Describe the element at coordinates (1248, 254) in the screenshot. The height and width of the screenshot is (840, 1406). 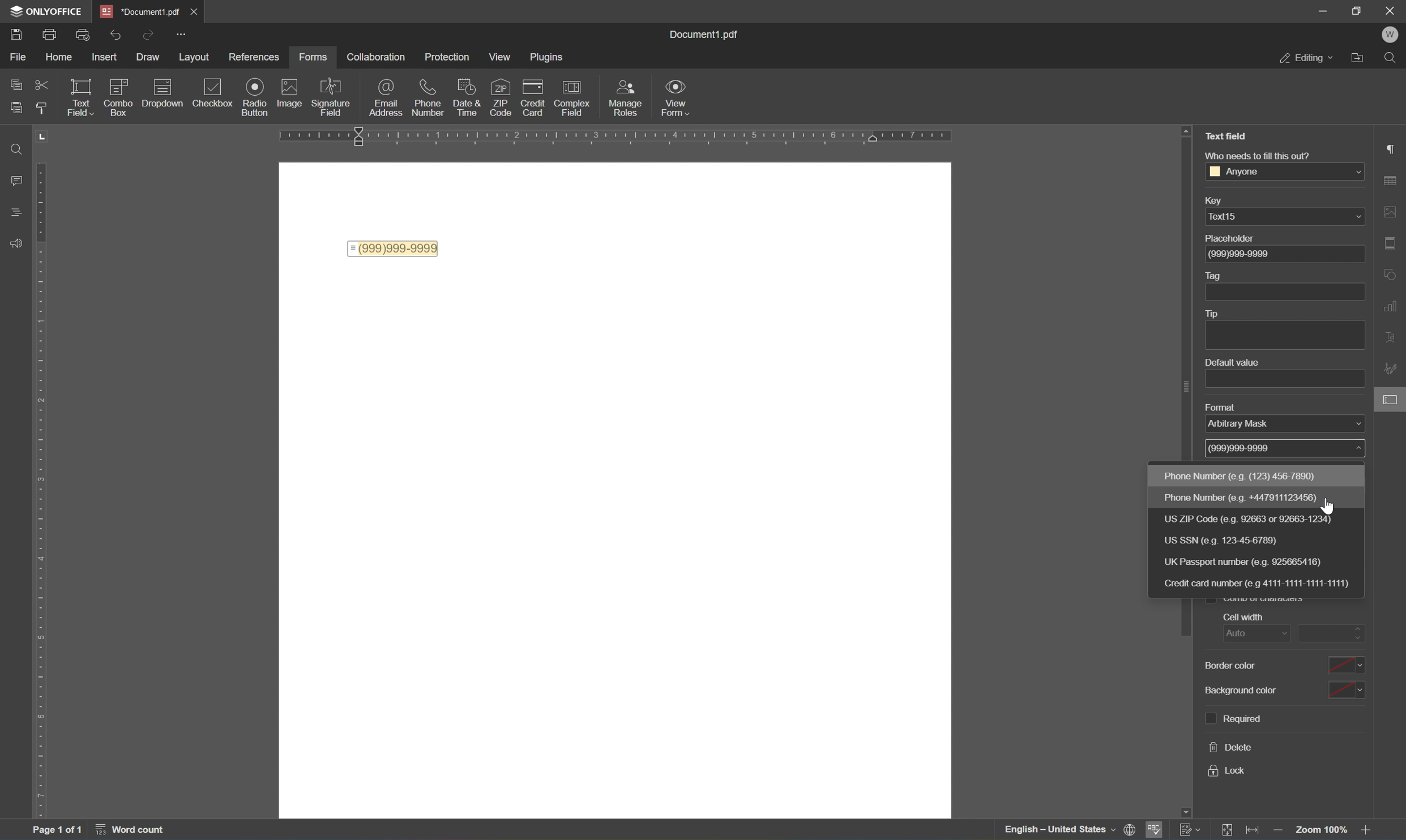
I see `(999)999-9999` at that location.